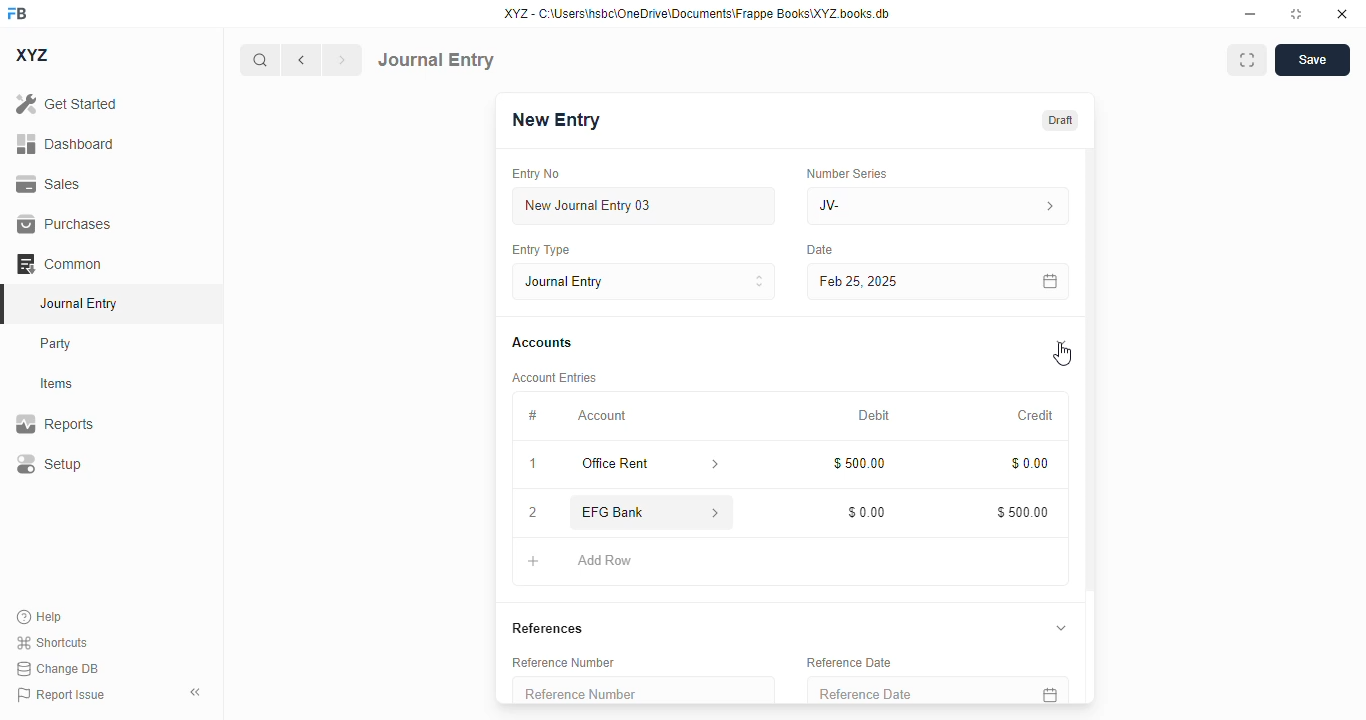  What do you see at coordinates (58, 668) in the screenshot?
I see `change DB` at bounding box center [58, 668].